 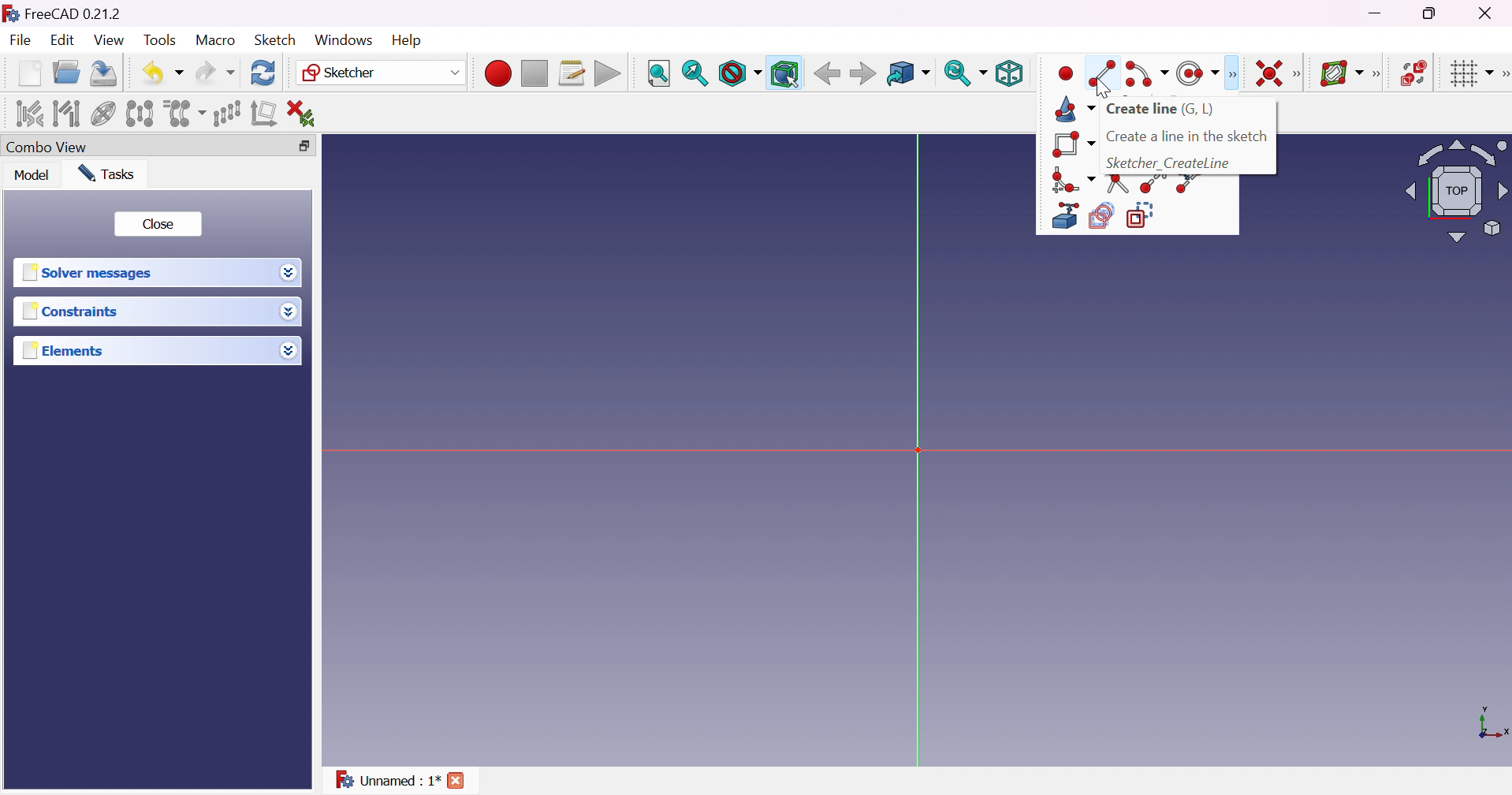 I want to click on Edit, so click(x=61, y=41).